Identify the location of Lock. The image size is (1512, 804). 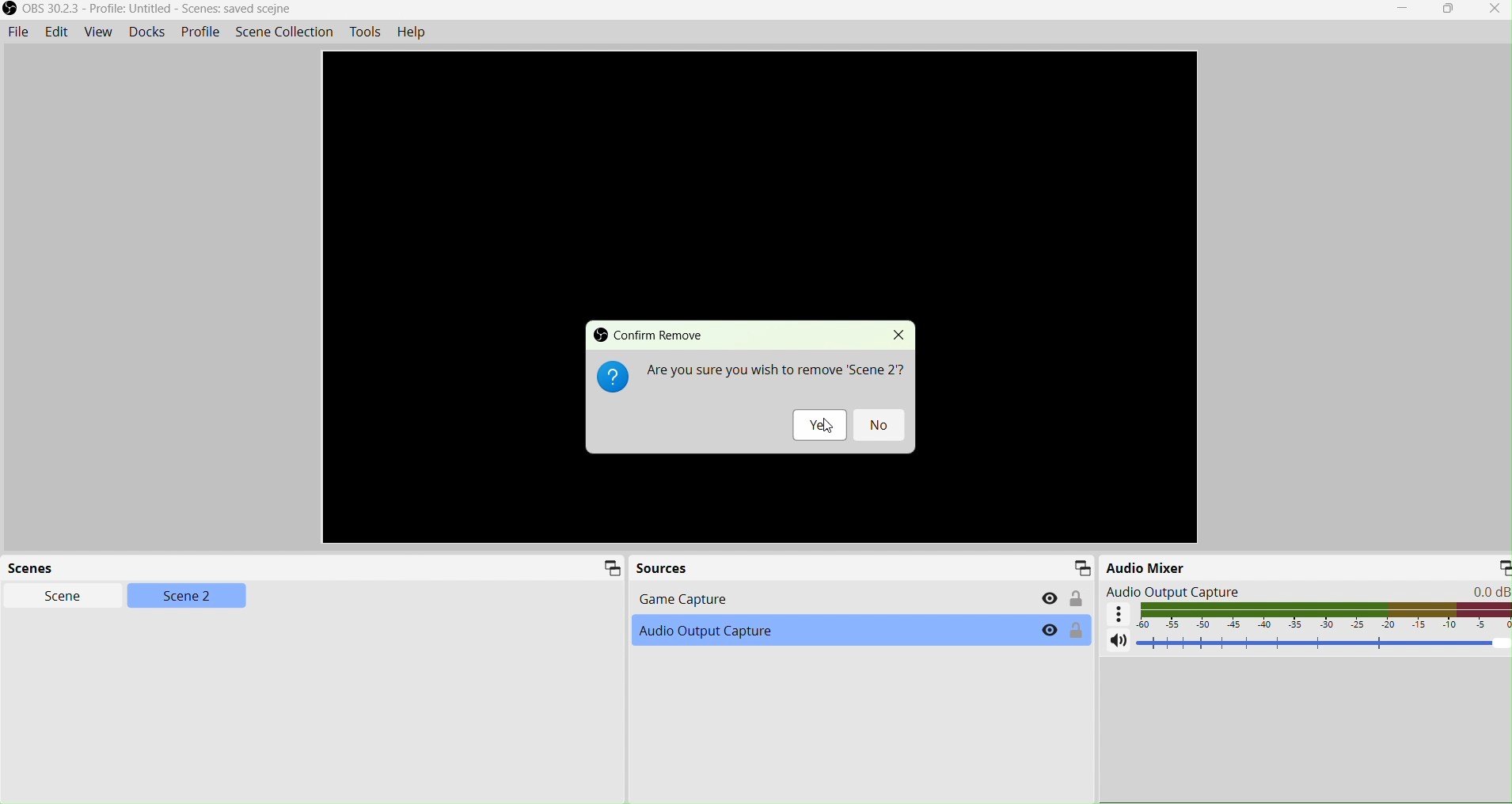
(1077, 599).